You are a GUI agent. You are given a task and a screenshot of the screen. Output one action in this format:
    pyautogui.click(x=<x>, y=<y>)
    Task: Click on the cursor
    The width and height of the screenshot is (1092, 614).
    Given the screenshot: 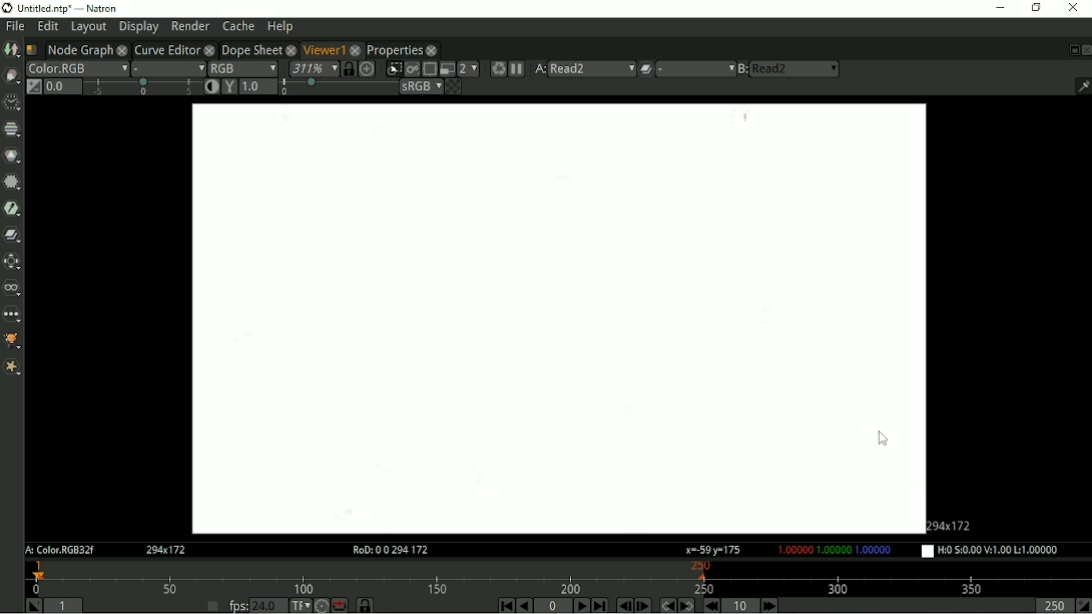 What is the action you would take?
    pyautogui.click(x=885, y=437)
    